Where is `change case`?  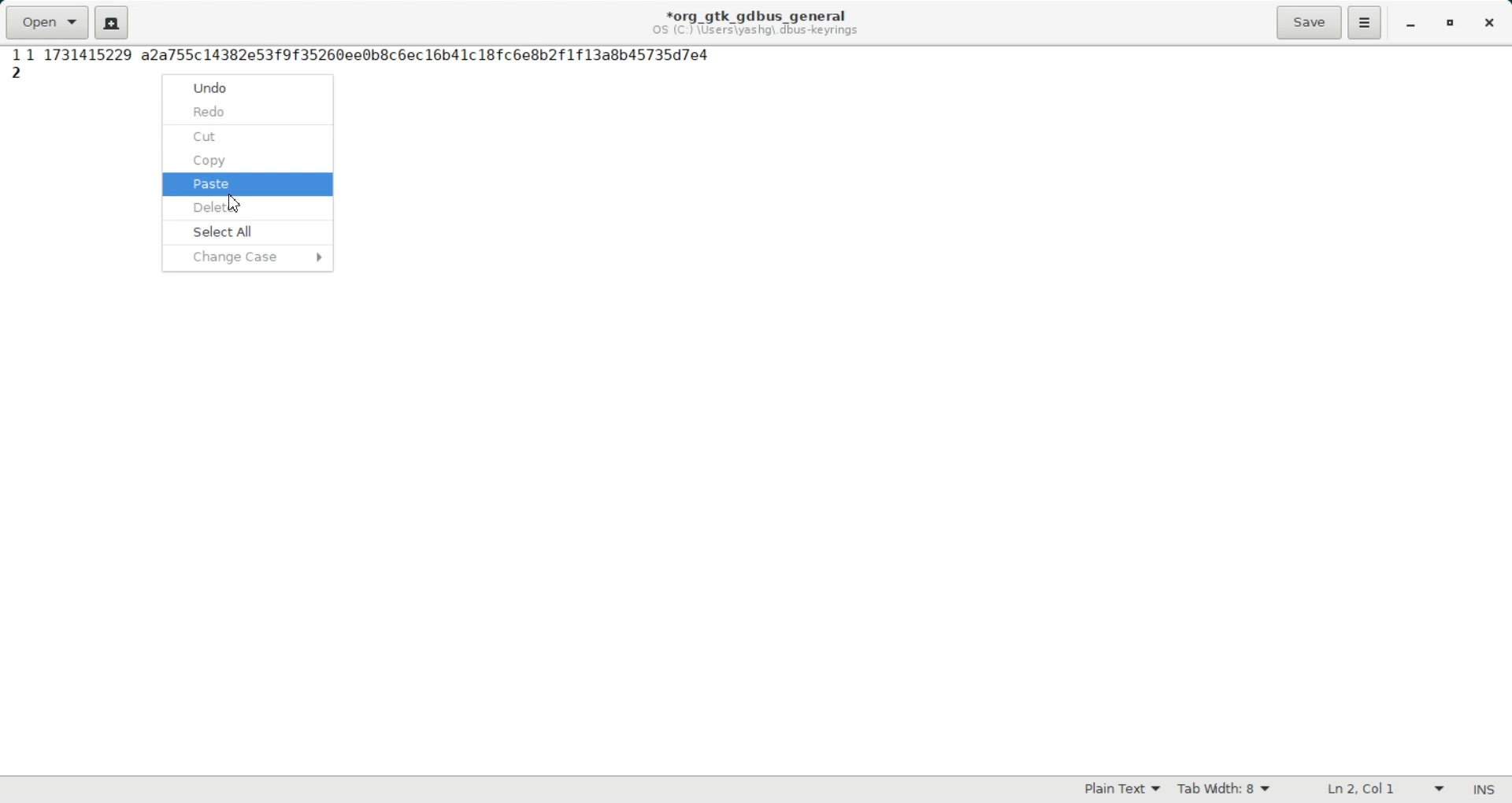
change case is located at coordinates (250, 258).